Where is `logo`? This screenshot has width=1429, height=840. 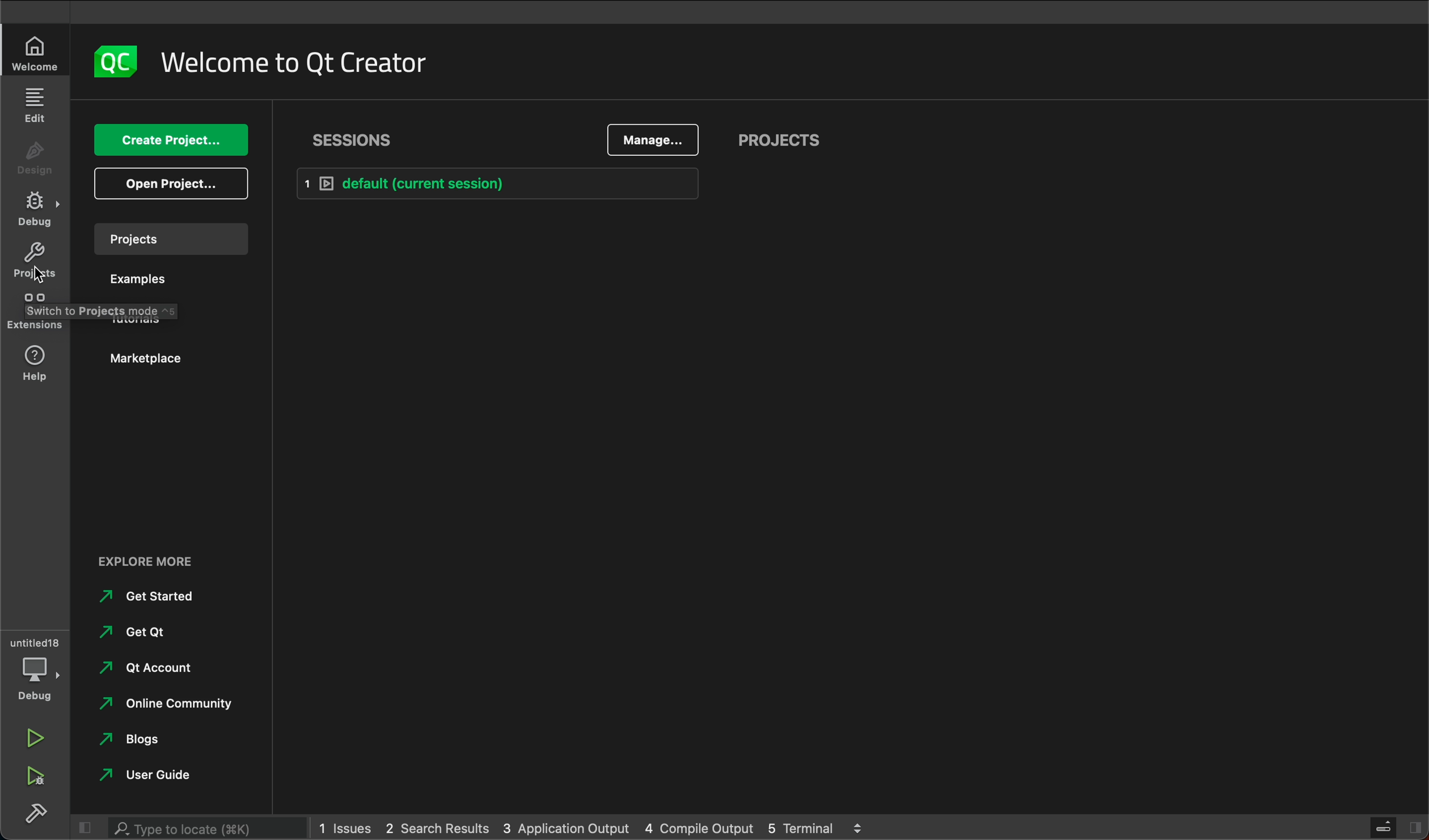 logo is located at coordinates (108, 58).